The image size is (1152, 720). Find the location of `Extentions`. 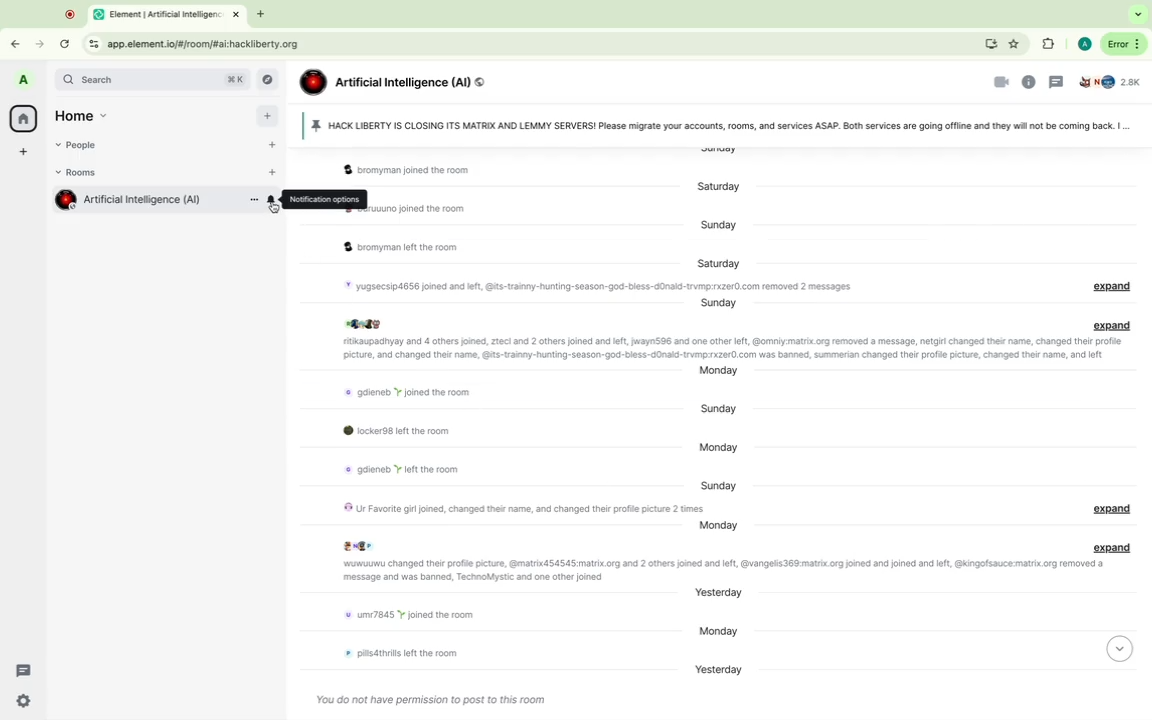

Extentions is located at coordinates (1046, 45).